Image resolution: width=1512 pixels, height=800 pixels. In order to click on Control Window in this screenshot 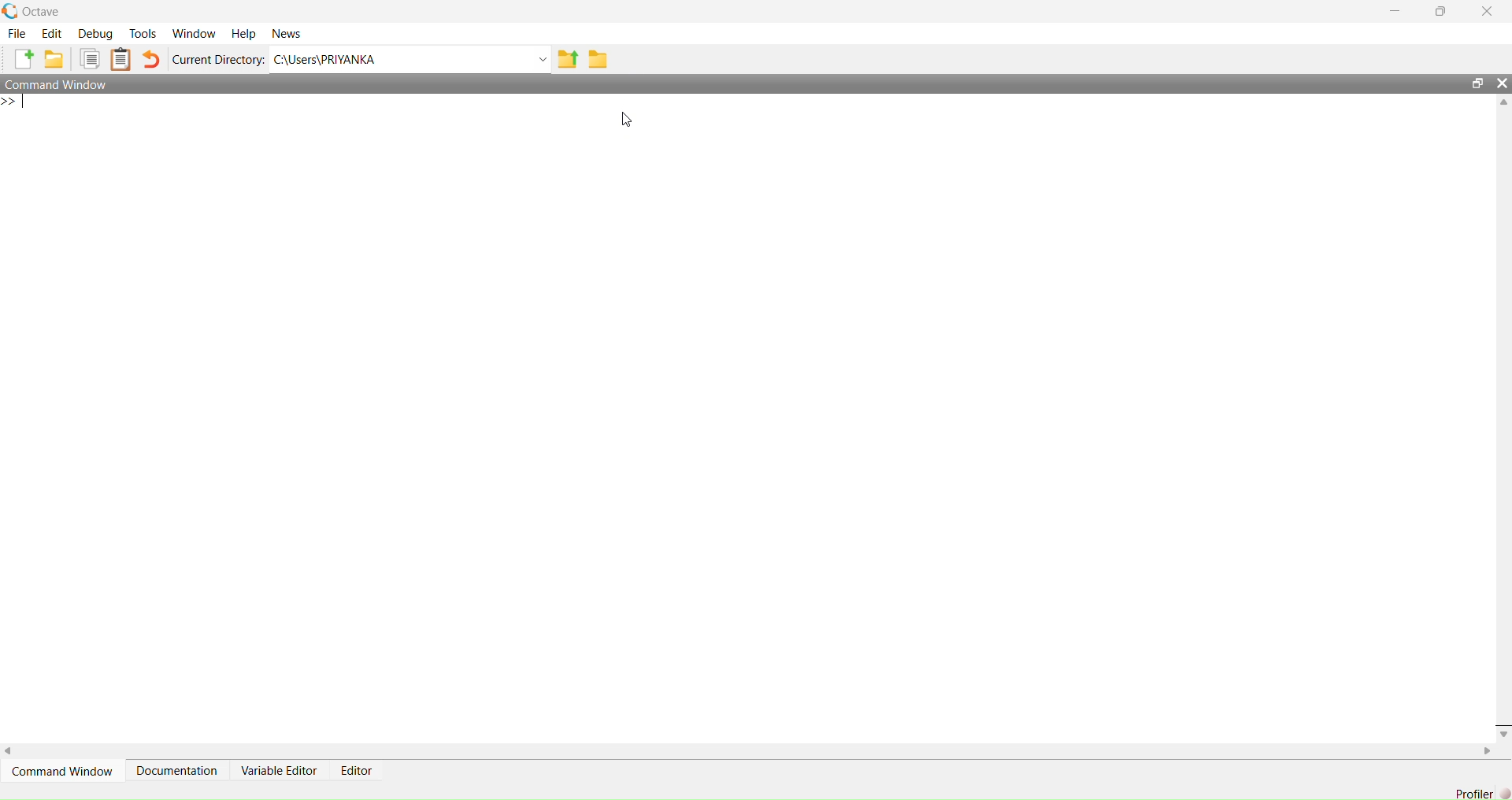, I will do `click(60, 85)`.